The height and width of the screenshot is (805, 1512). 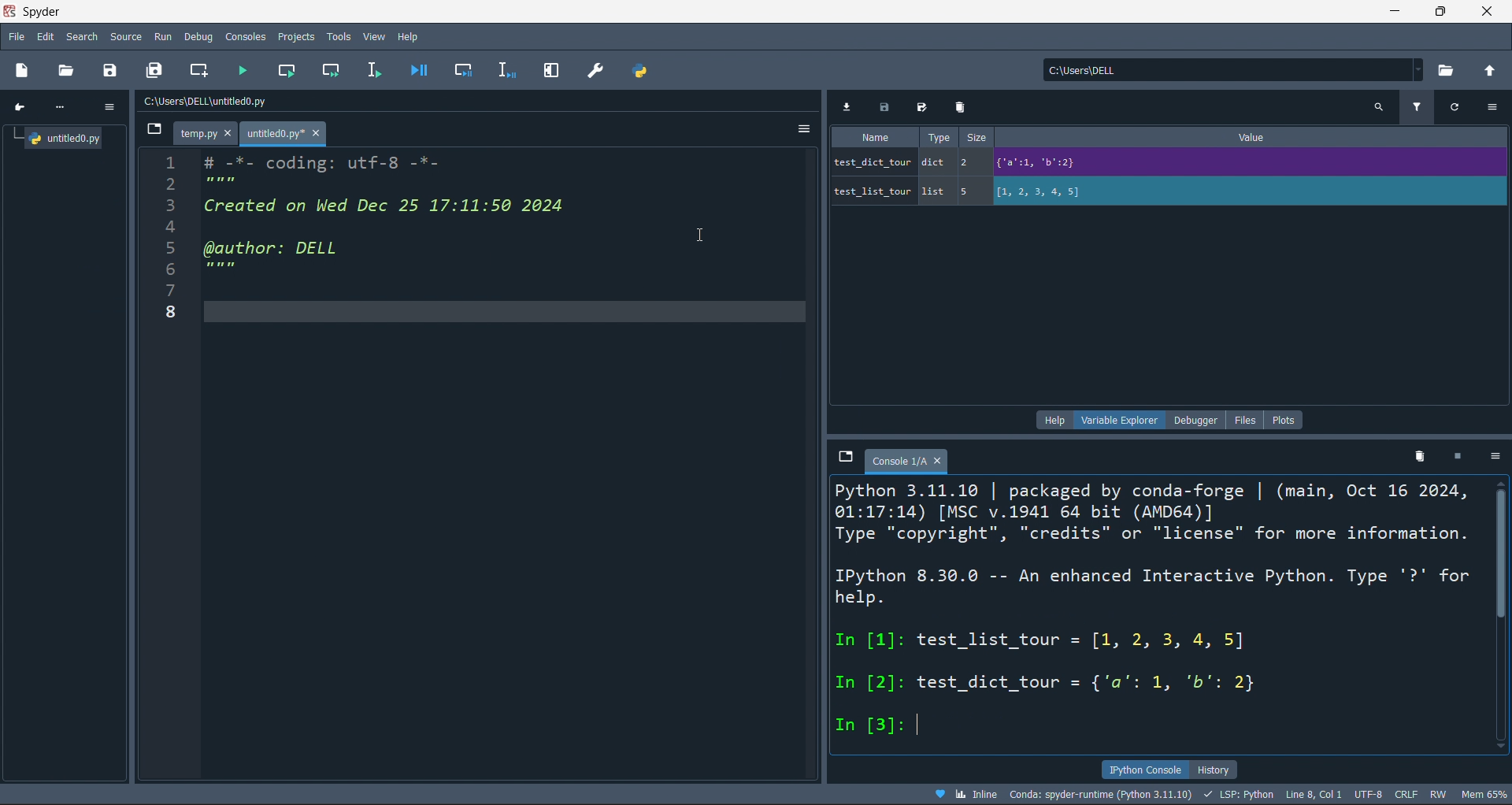 I want to click on path manager, so click(x=640, y=72).